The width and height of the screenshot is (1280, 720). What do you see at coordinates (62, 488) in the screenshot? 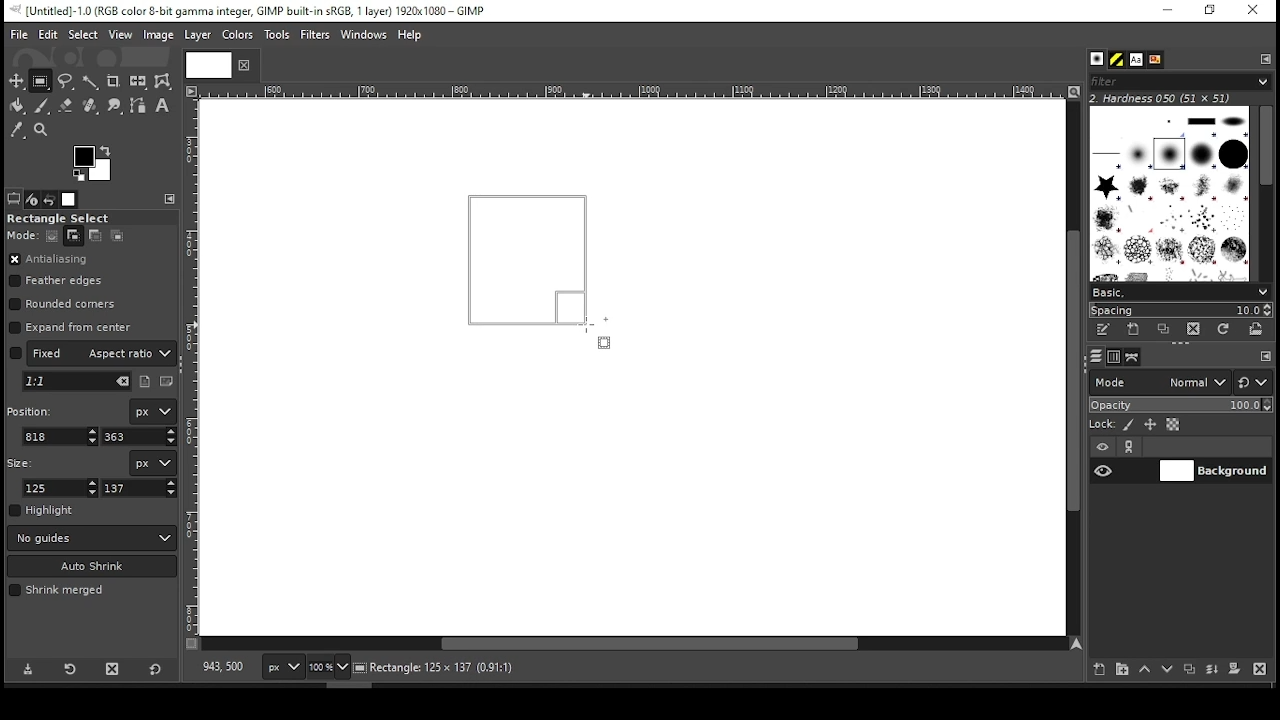
I see `width` at bounding box center [62, 488].